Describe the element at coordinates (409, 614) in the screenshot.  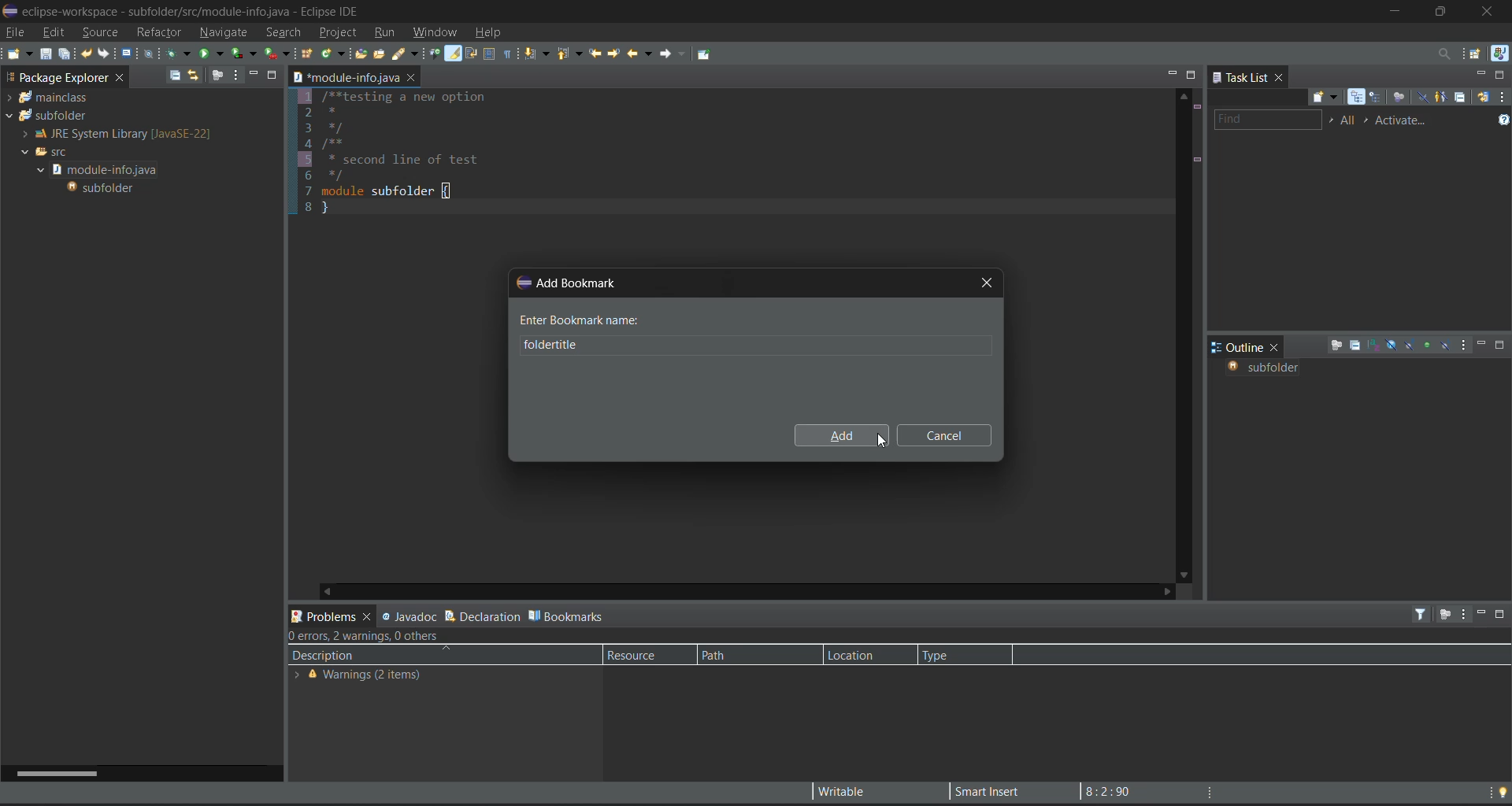
I see `javadoc` at that location.